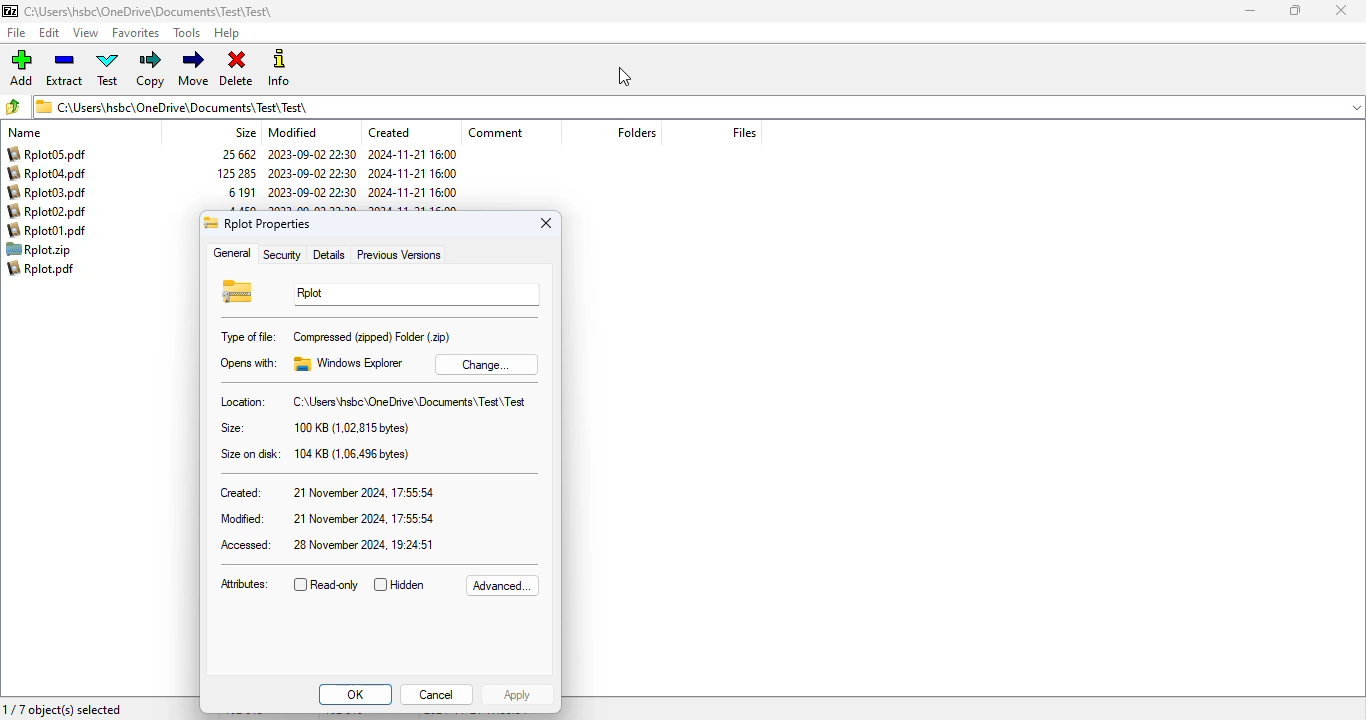 The height and width of the screenshot is (720, 1366). Describe the element at coordinates (546, 223) in the screenshot. I see `close` at that location.